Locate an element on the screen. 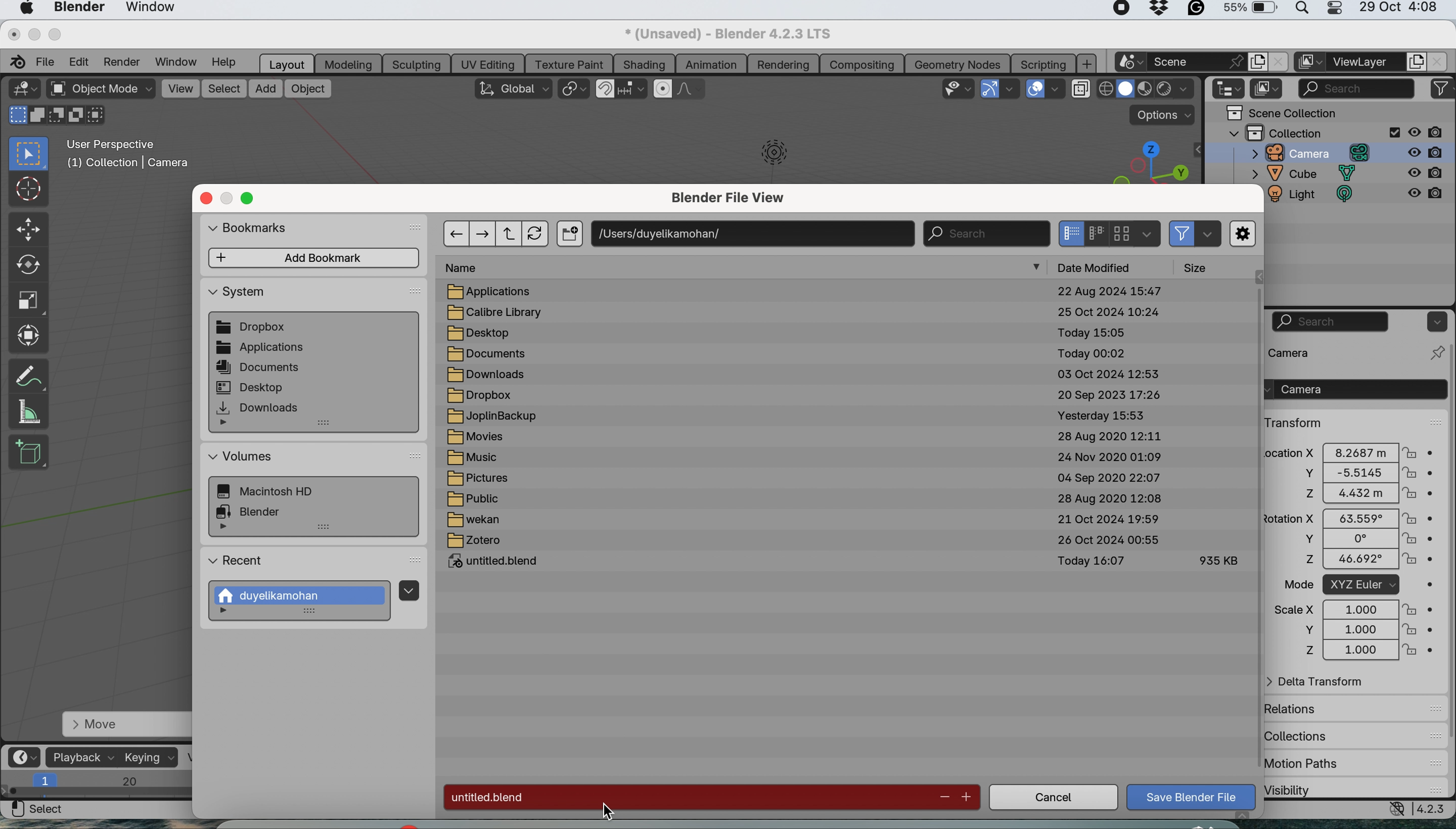 Image resolution: width=1456 pixels, height=829 pixels. camera is located at coordinates (1310, 352).